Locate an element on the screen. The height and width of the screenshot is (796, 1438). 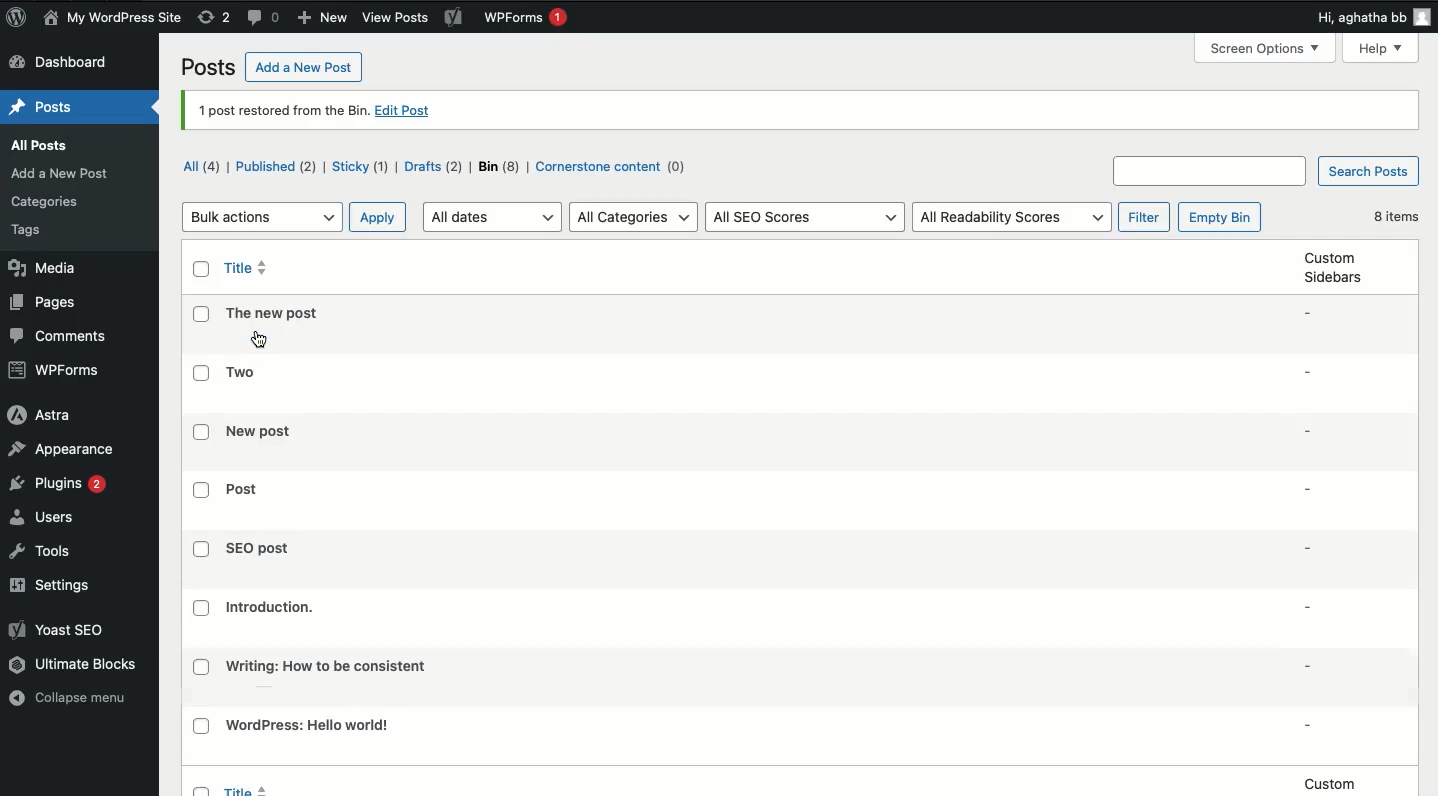
1 post restored from the bin is located at coordinates (279, 111).